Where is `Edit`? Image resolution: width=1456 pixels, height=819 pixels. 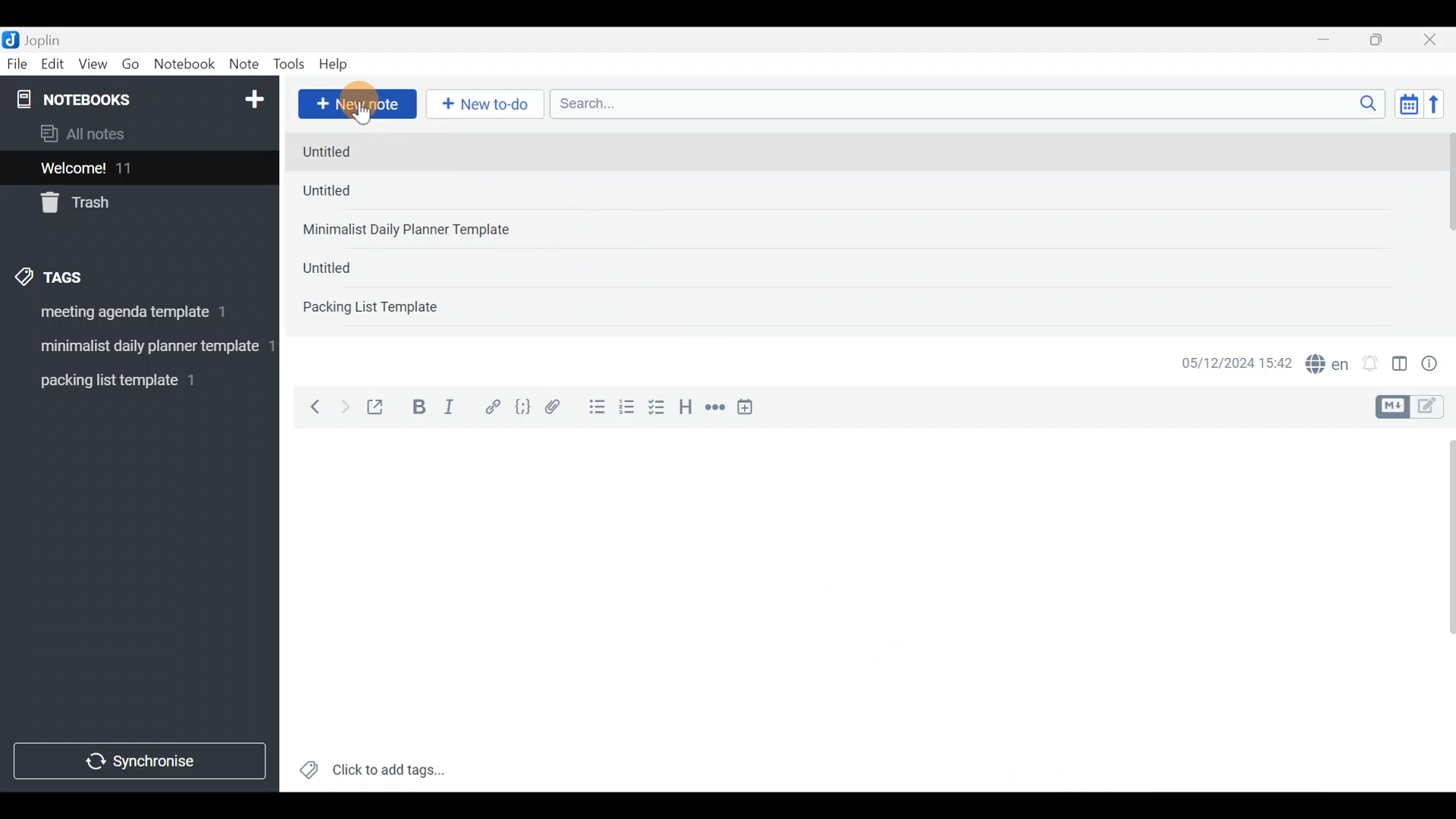 Edit is located at coordinates (53, 67).